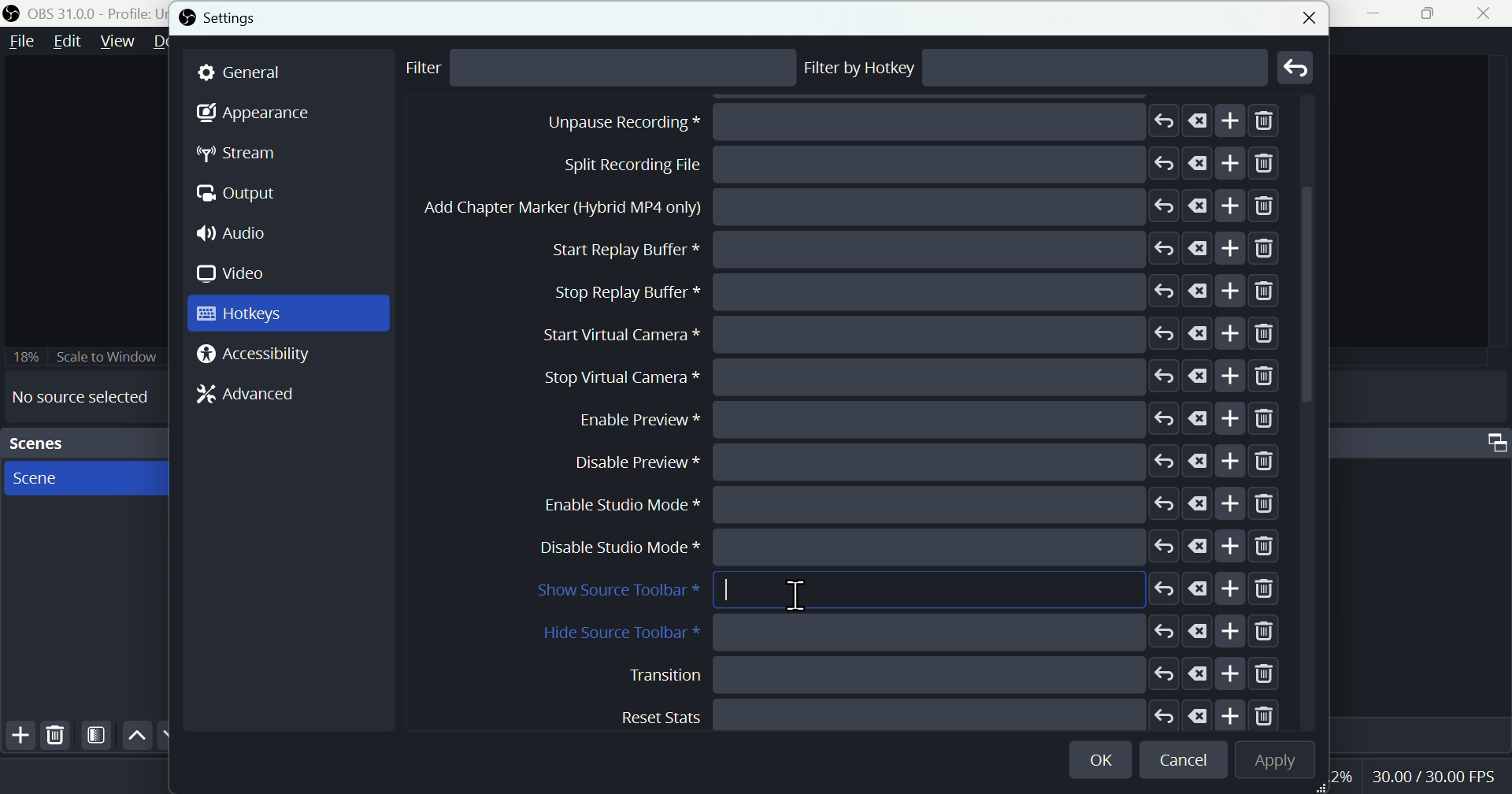 This screenshot has width=1512, height=794. What do you see at coordinates (239, 398) in the screenshot?
I see `Advanced` at bounding box center [239, 398].